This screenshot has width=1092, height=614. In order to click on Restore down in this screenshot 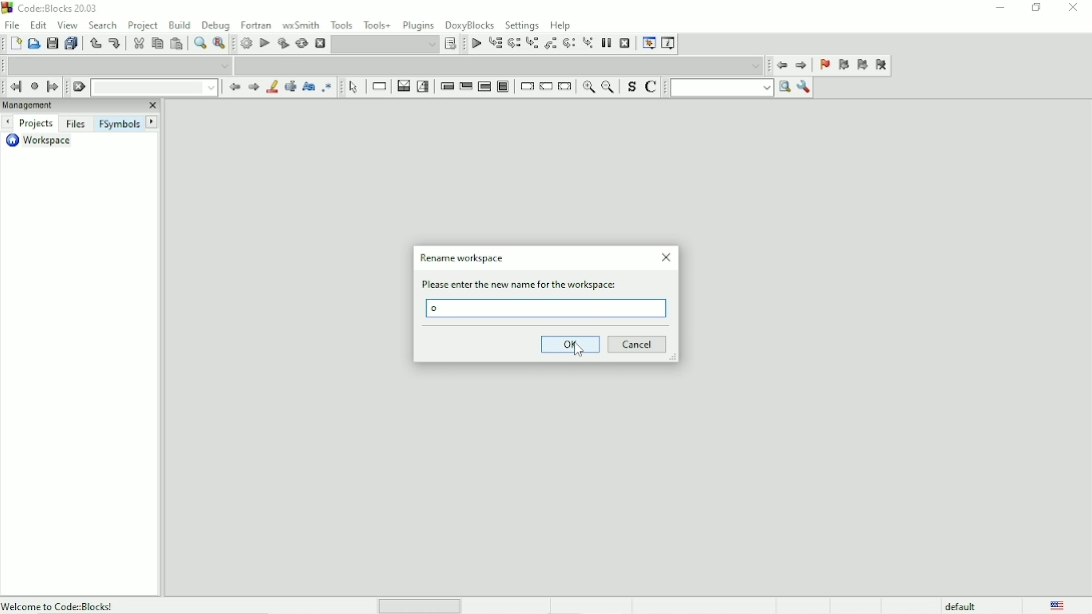, I will do `click(1035, 8)`.